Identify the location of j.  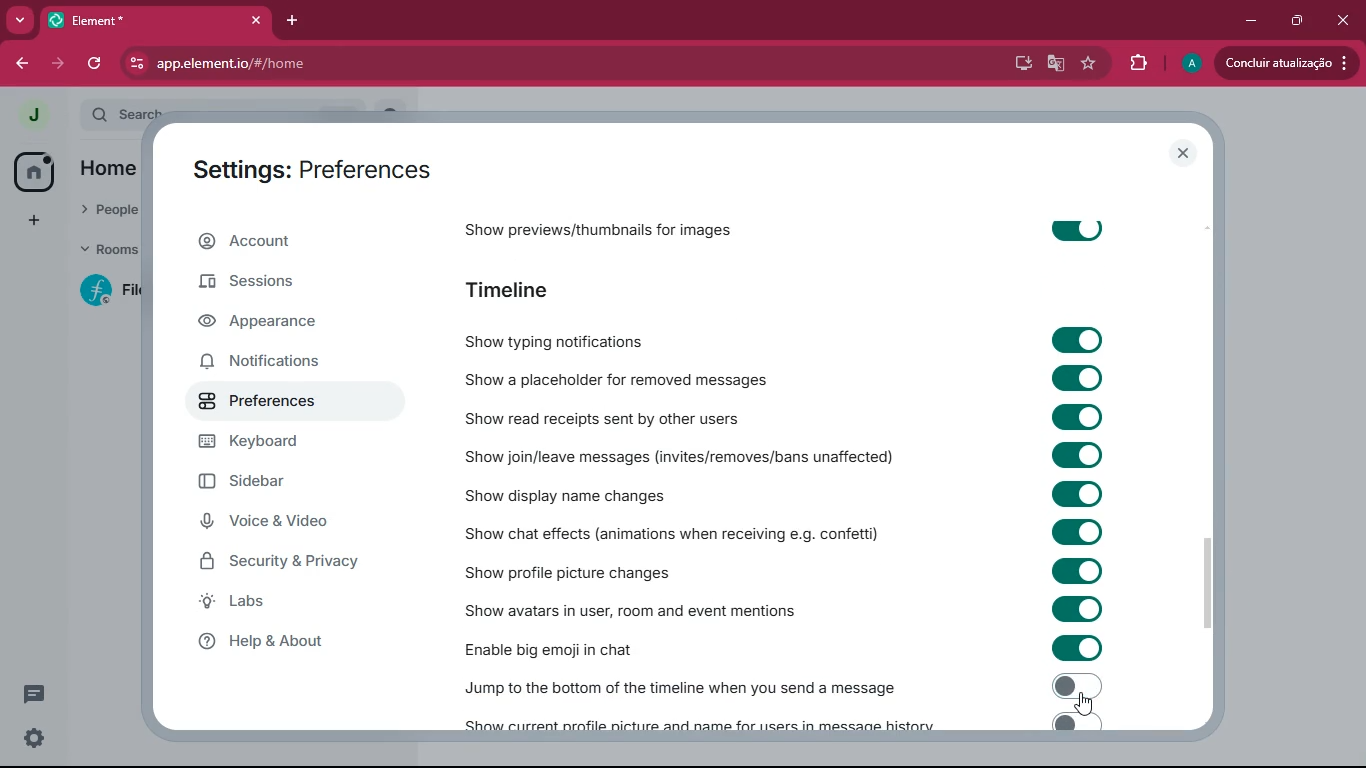
(24, 115).